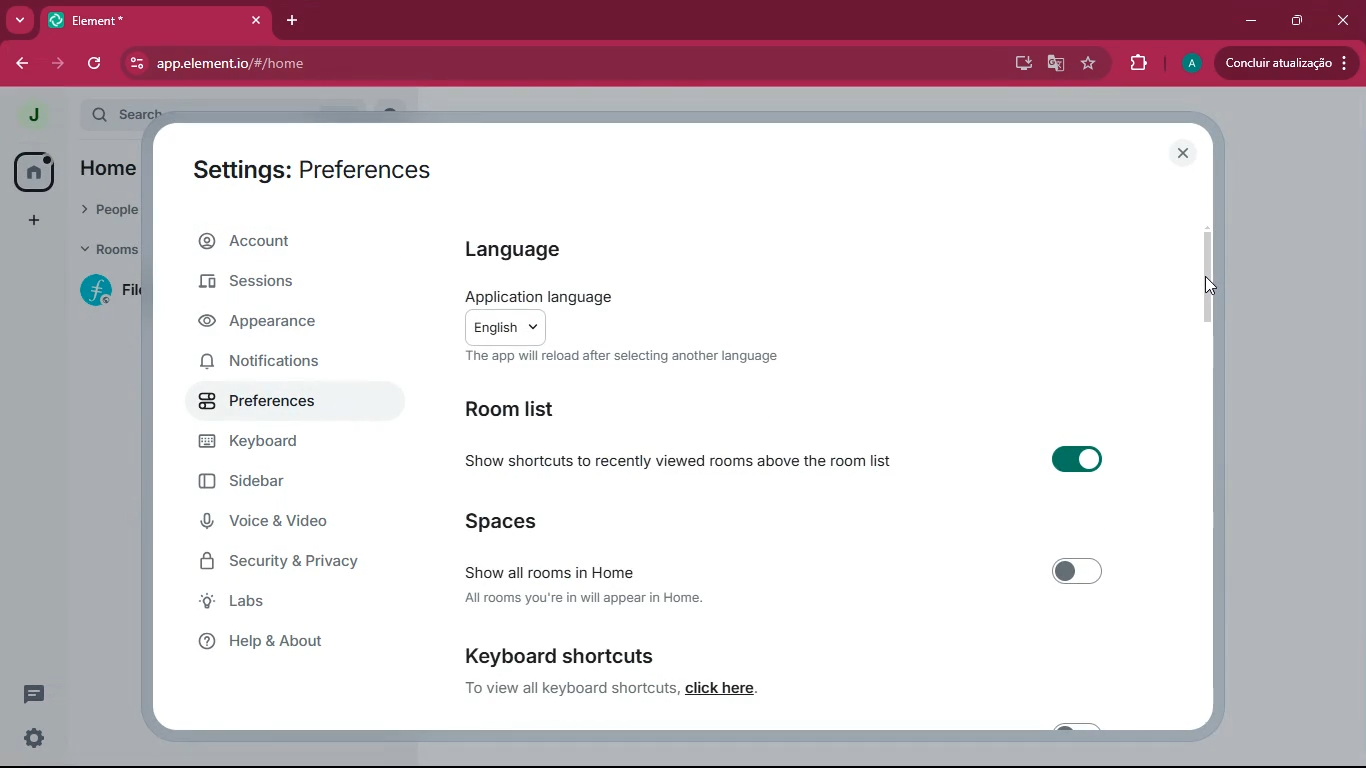 This screenshot has width=1366, height=768. I want to click on add tab, so click(297, 21).